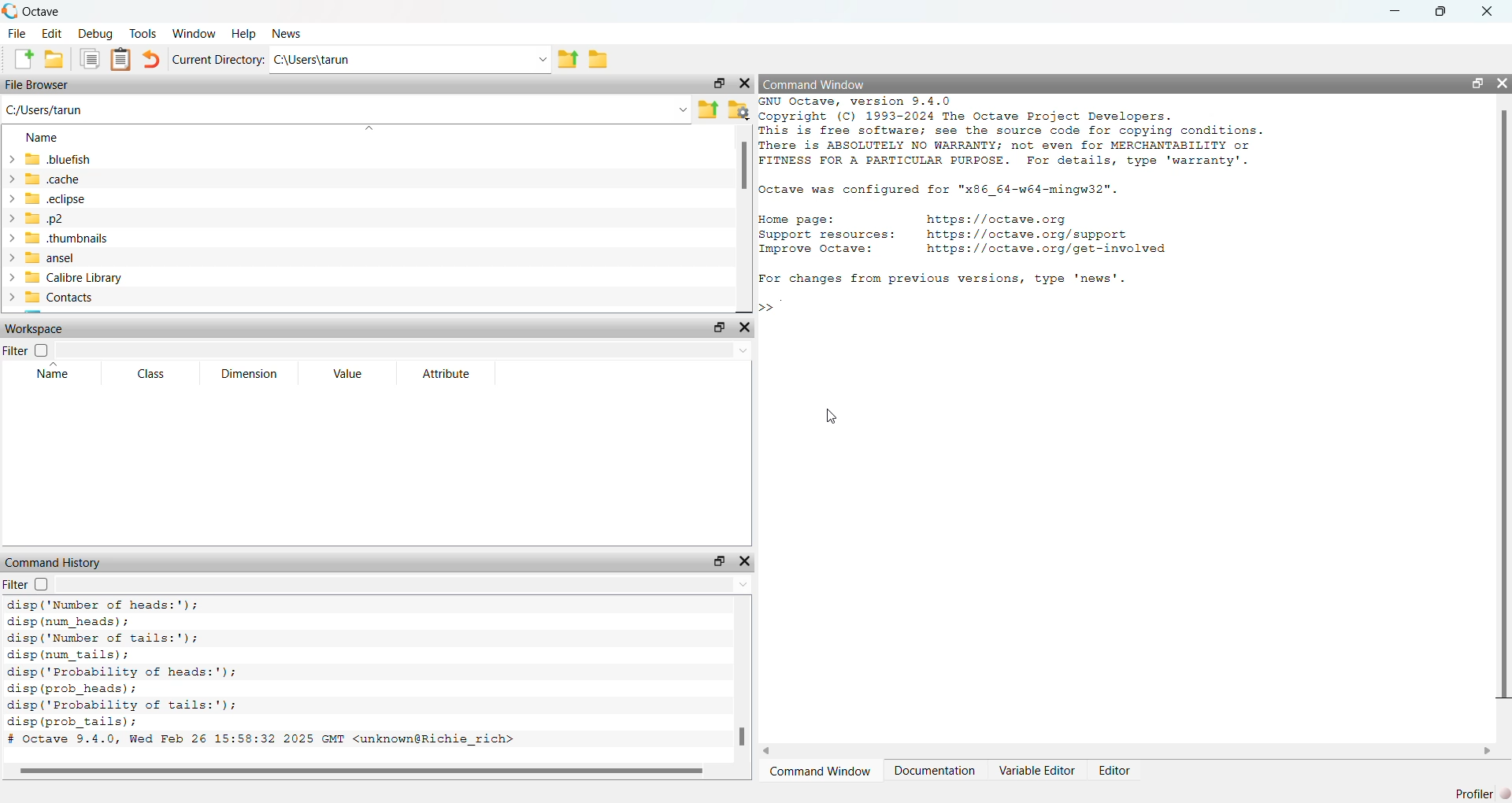 This screenshot has height=803, width=1512. Describe the element at coordinates (218, 59) in the screenshot. I see `Current Directory:` at that location.